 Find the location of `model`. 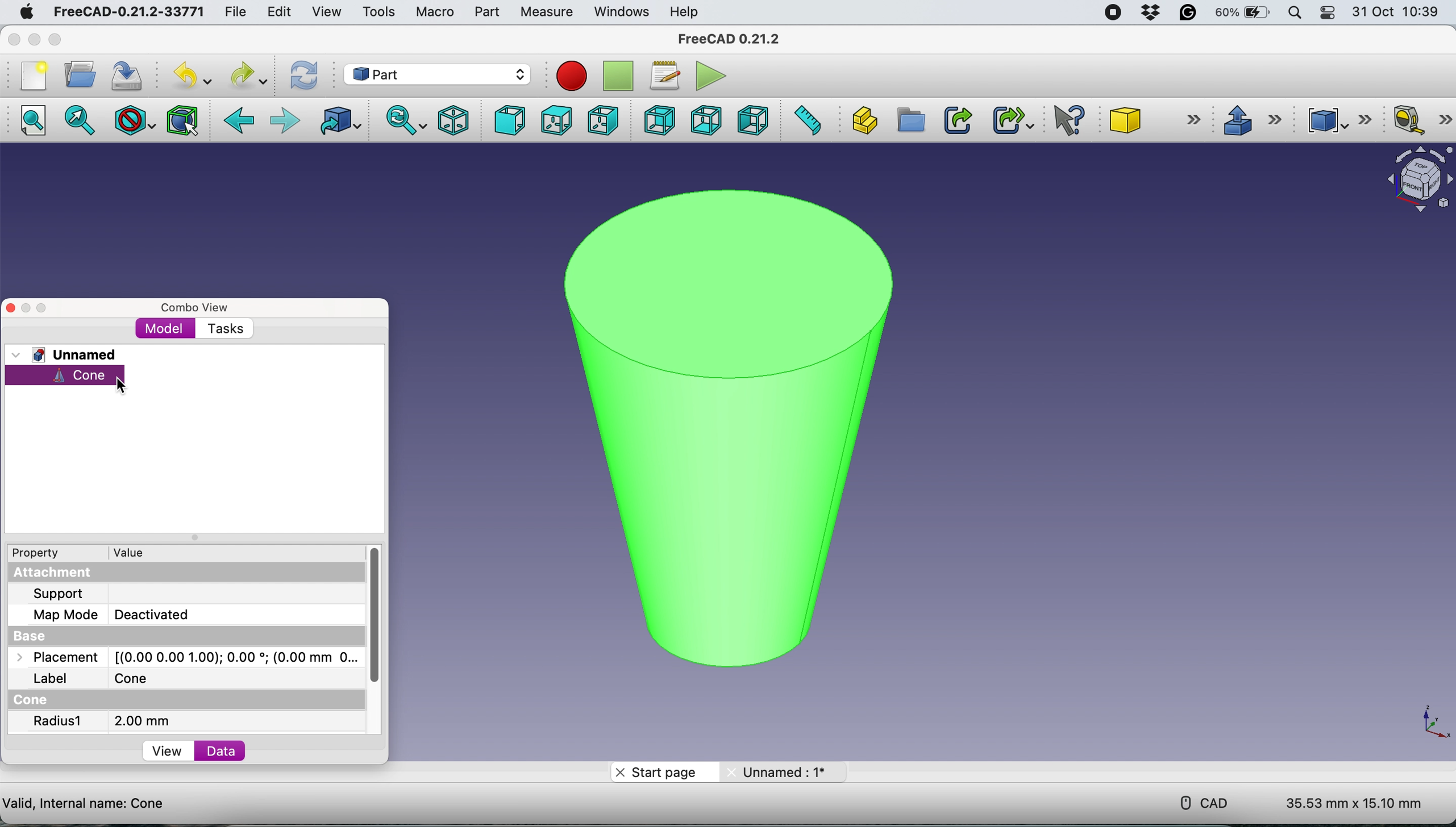

model is located at coordinates (168, 328).